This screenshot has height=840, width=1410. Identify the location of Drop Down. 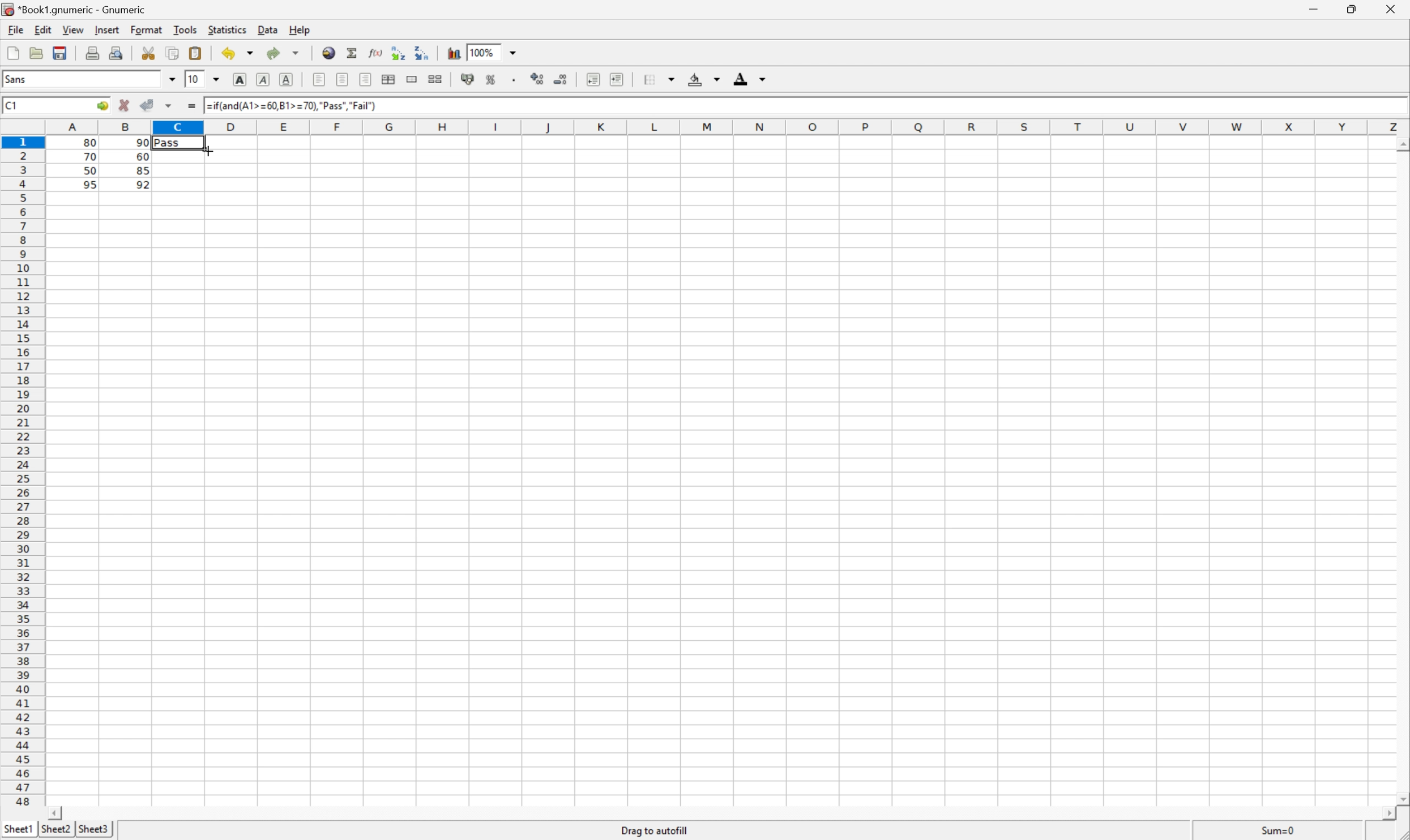
(220, 79).